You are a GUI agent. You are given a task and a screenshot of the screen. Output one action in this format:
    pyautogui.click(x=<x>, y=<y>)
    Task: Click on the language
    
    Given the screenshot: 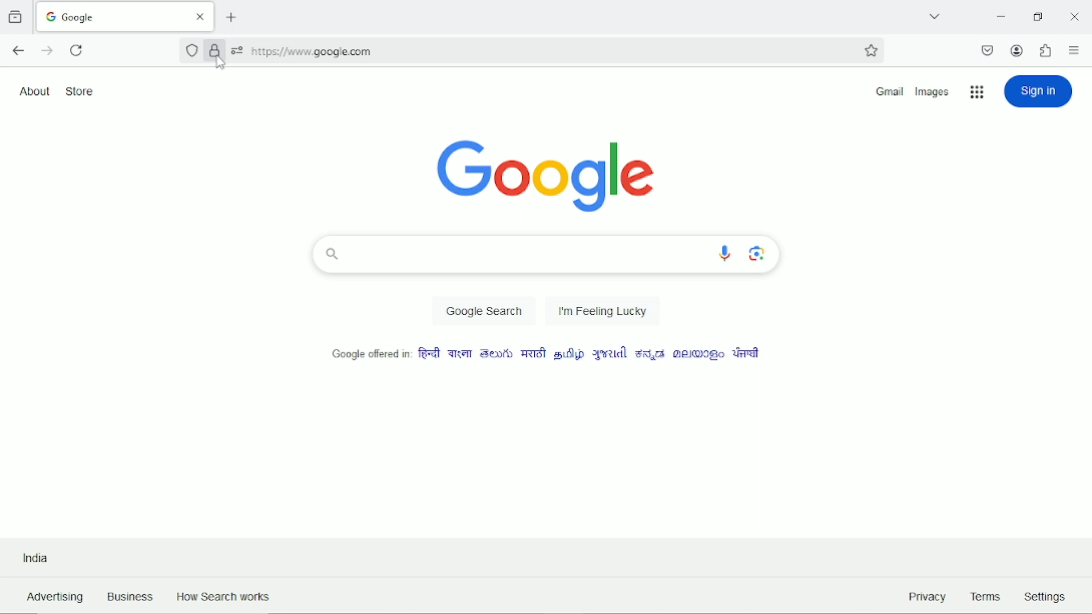 What is the action you would take?
    pyautogui.click(x=496, y=353)
    